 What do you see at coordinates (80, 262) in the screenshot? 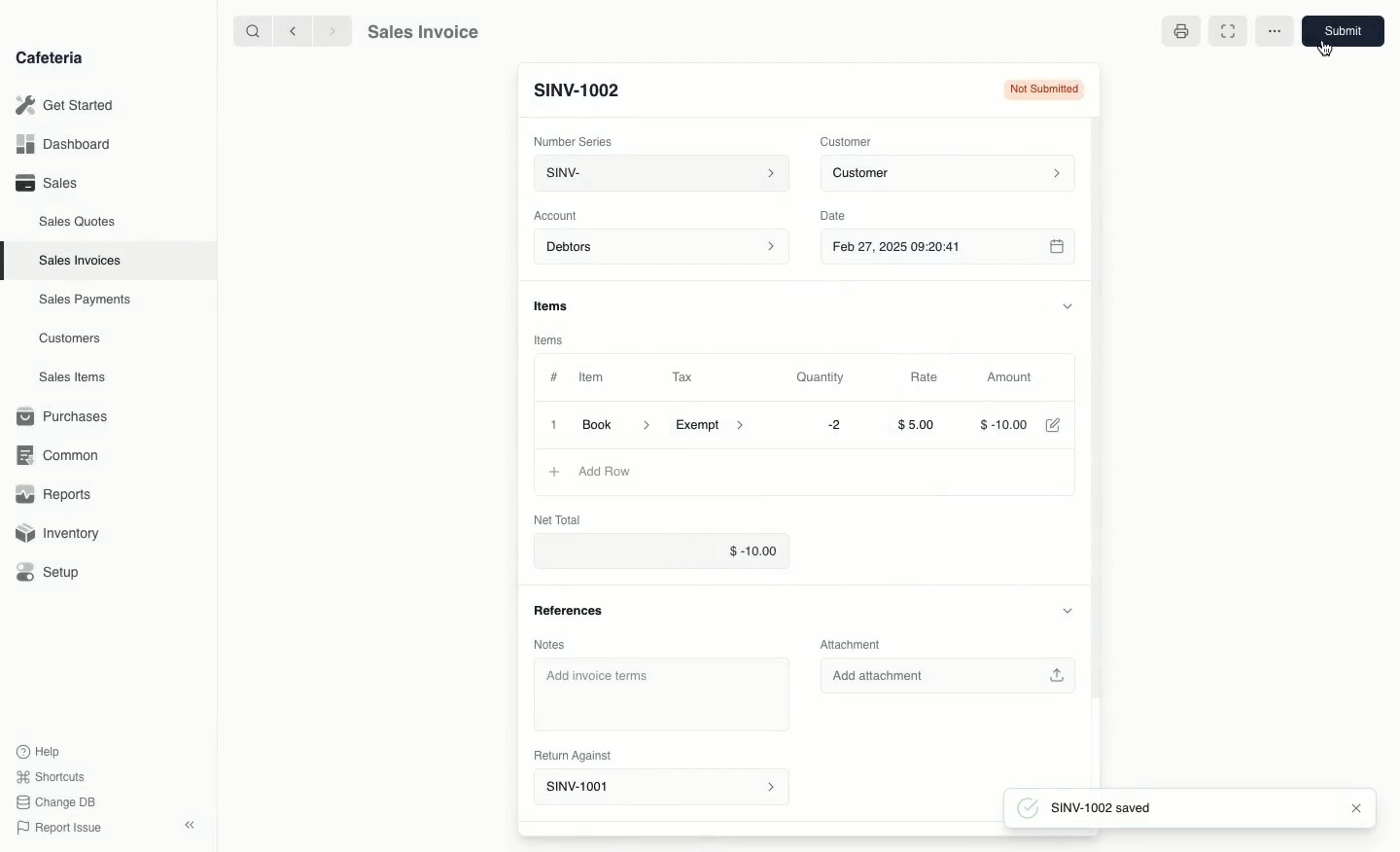
I see `Sales Invoices` at bounding box center [80, 262].